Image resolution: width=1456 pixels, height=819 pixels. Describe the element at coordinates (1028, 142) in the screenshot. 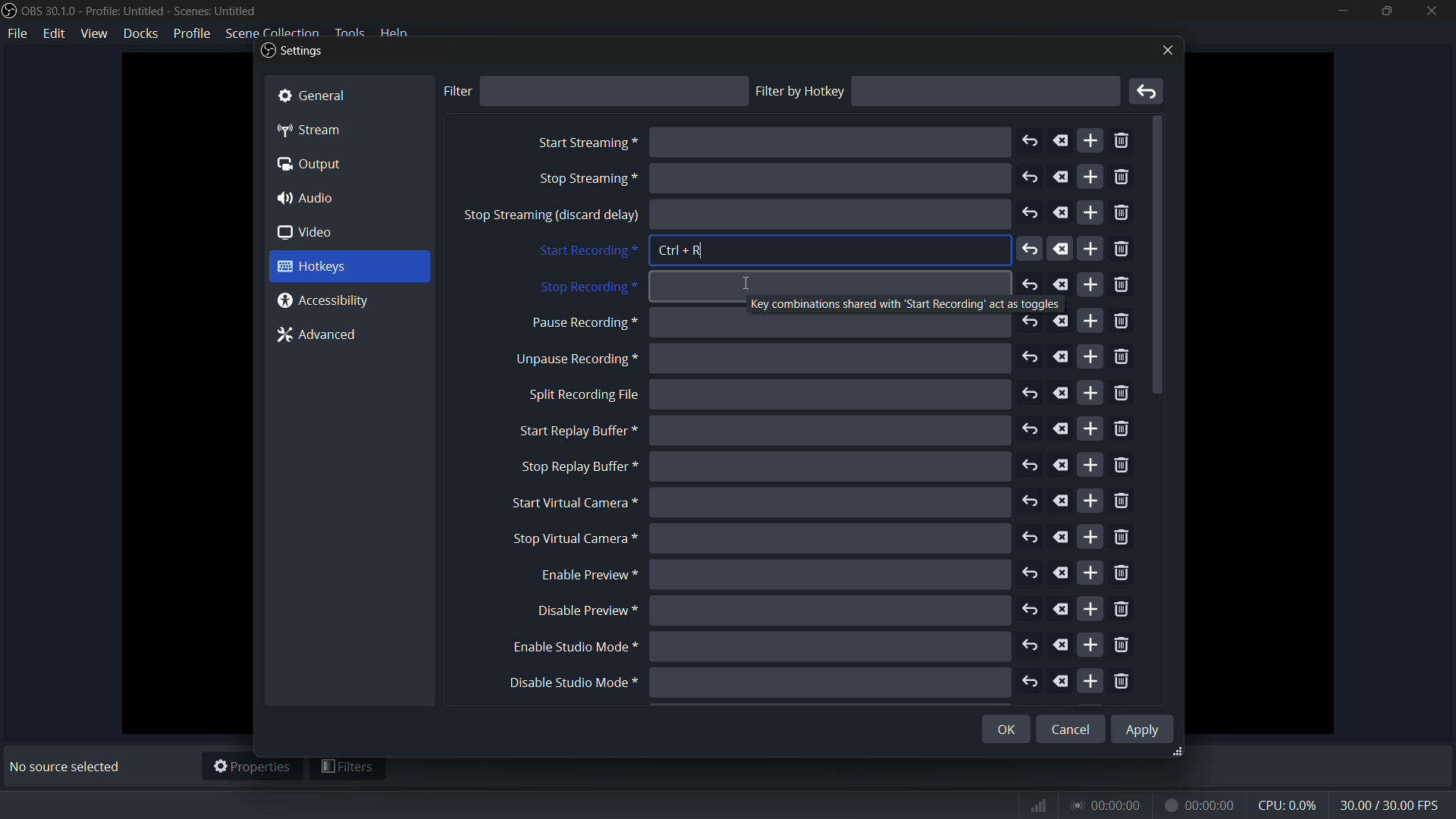

I see `undo` at that location.